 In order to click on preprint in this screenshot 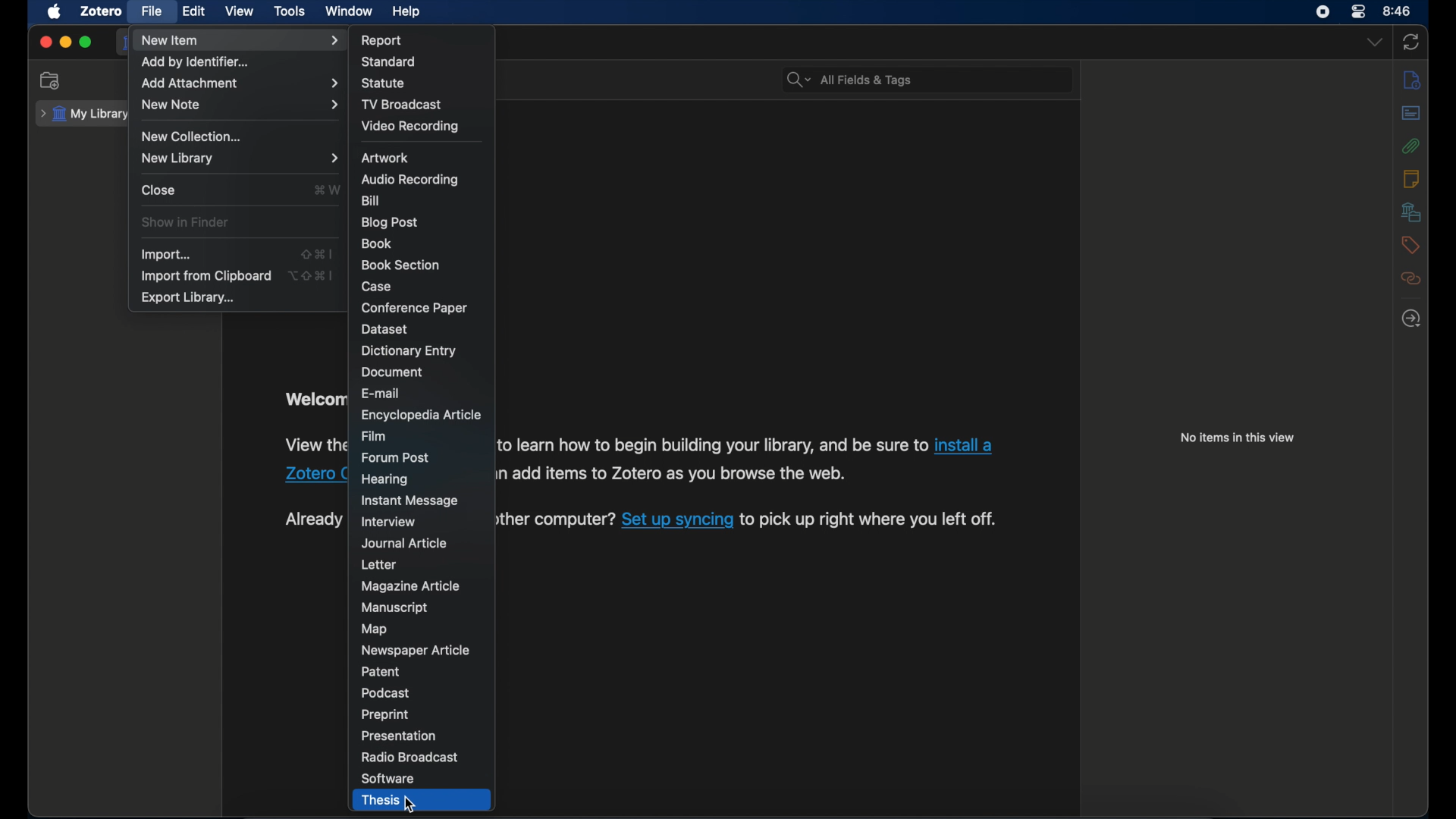, I will do `click(384, 714)`.